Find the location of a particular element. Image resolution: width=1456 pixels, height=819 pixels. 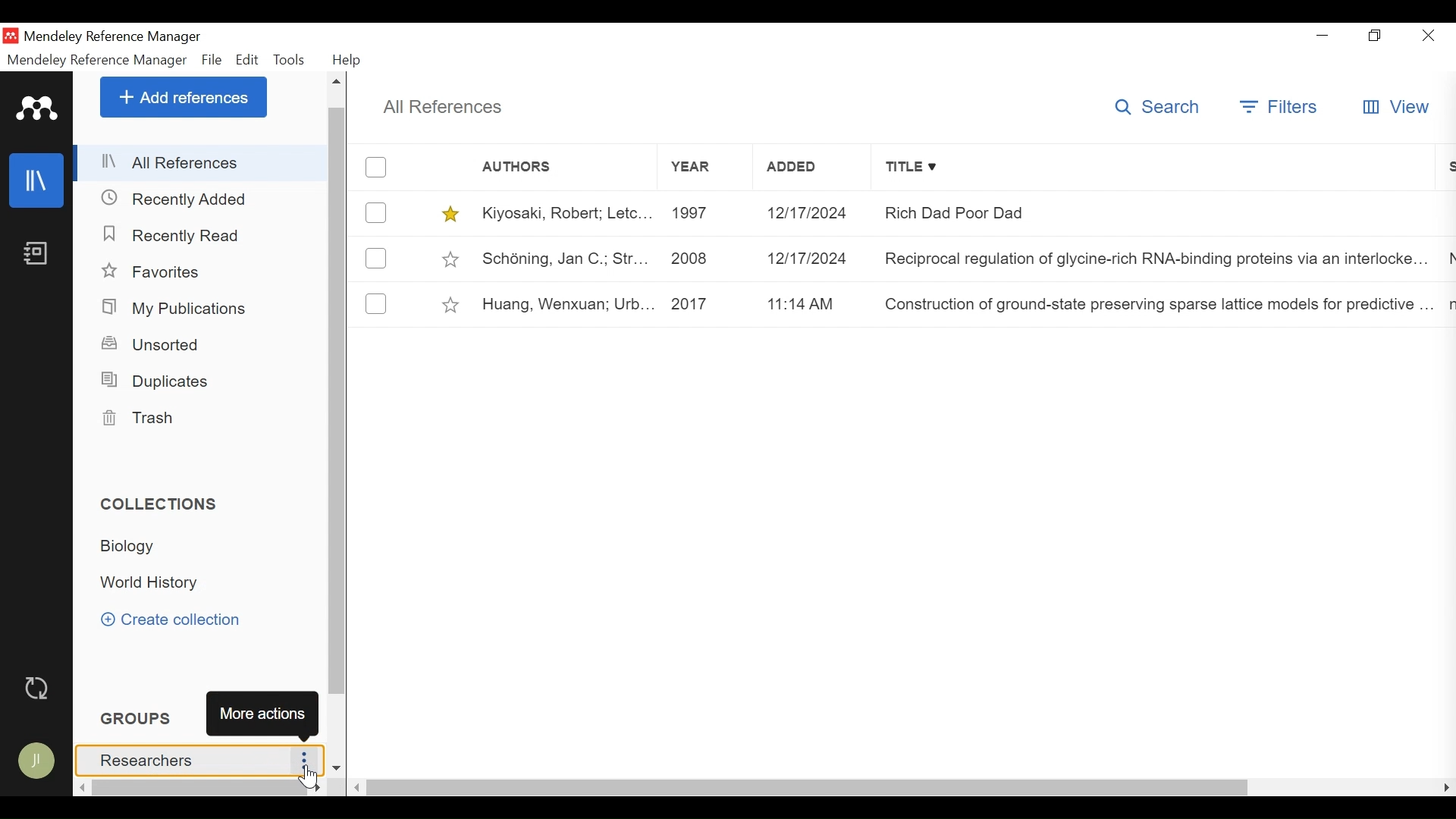

Authors is located at coordinates (547, 168).